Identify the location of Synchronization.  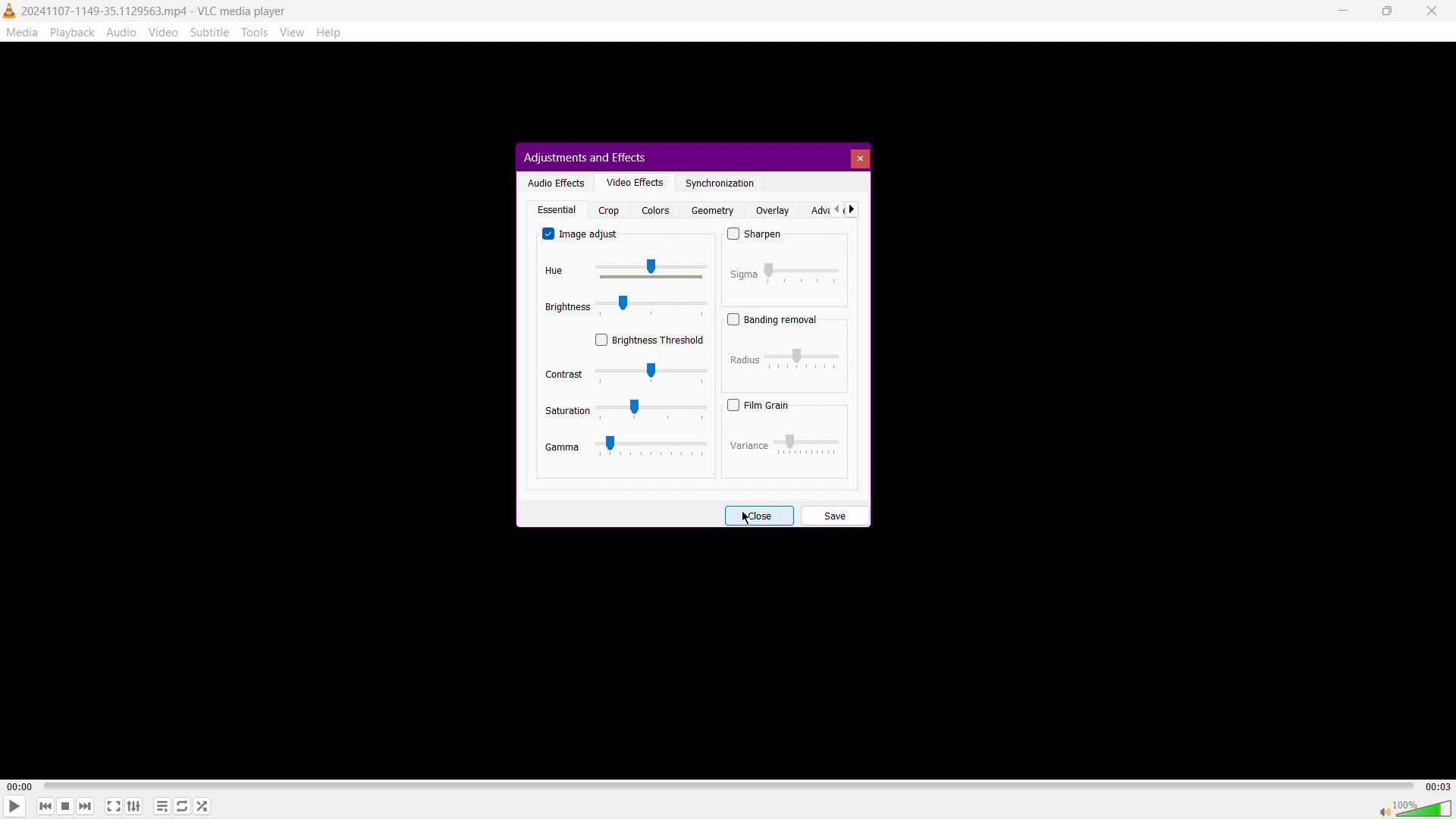
(720, 184).